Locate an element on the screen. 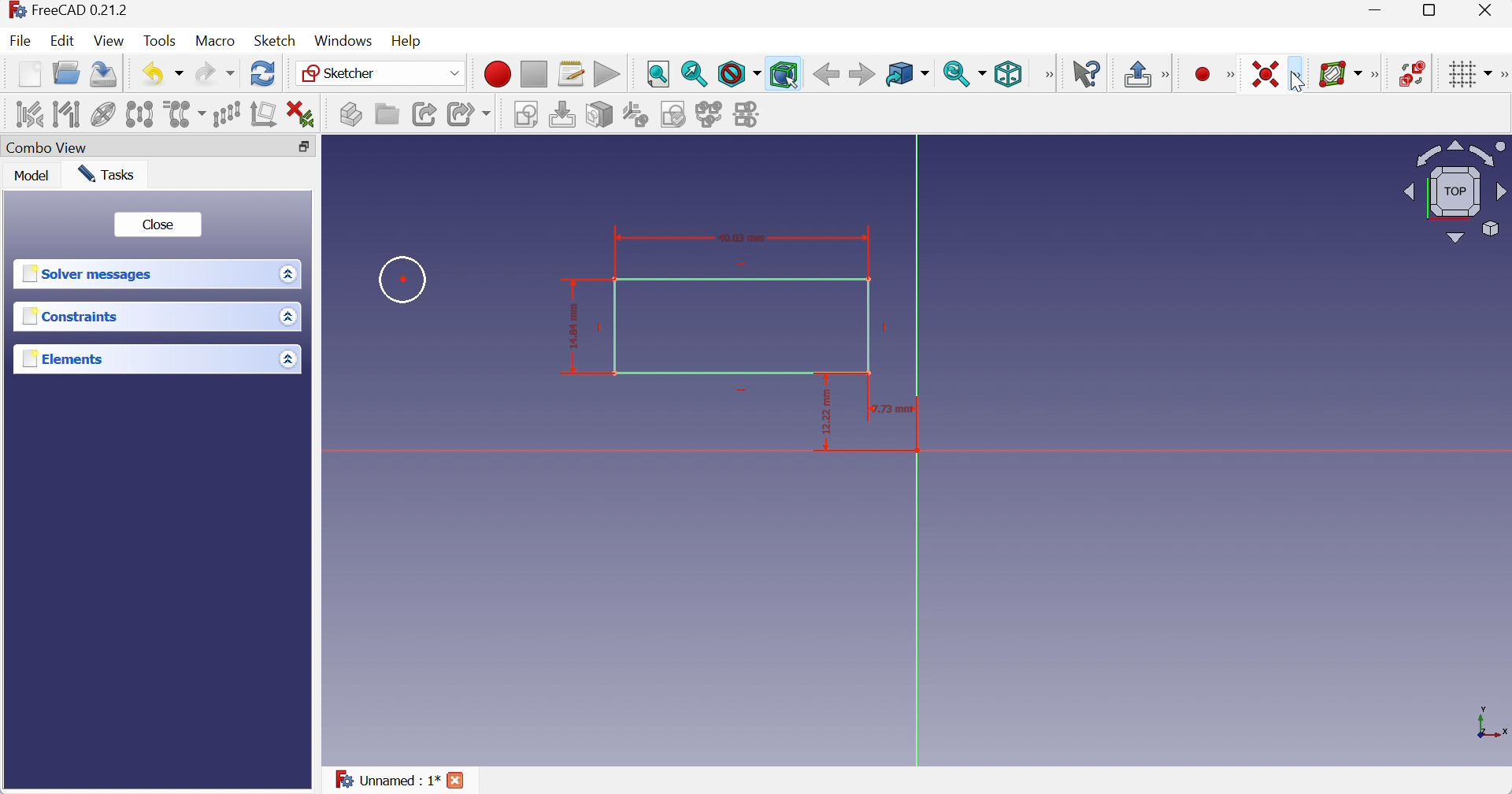  Constraints is located at coordinates (73, 315).